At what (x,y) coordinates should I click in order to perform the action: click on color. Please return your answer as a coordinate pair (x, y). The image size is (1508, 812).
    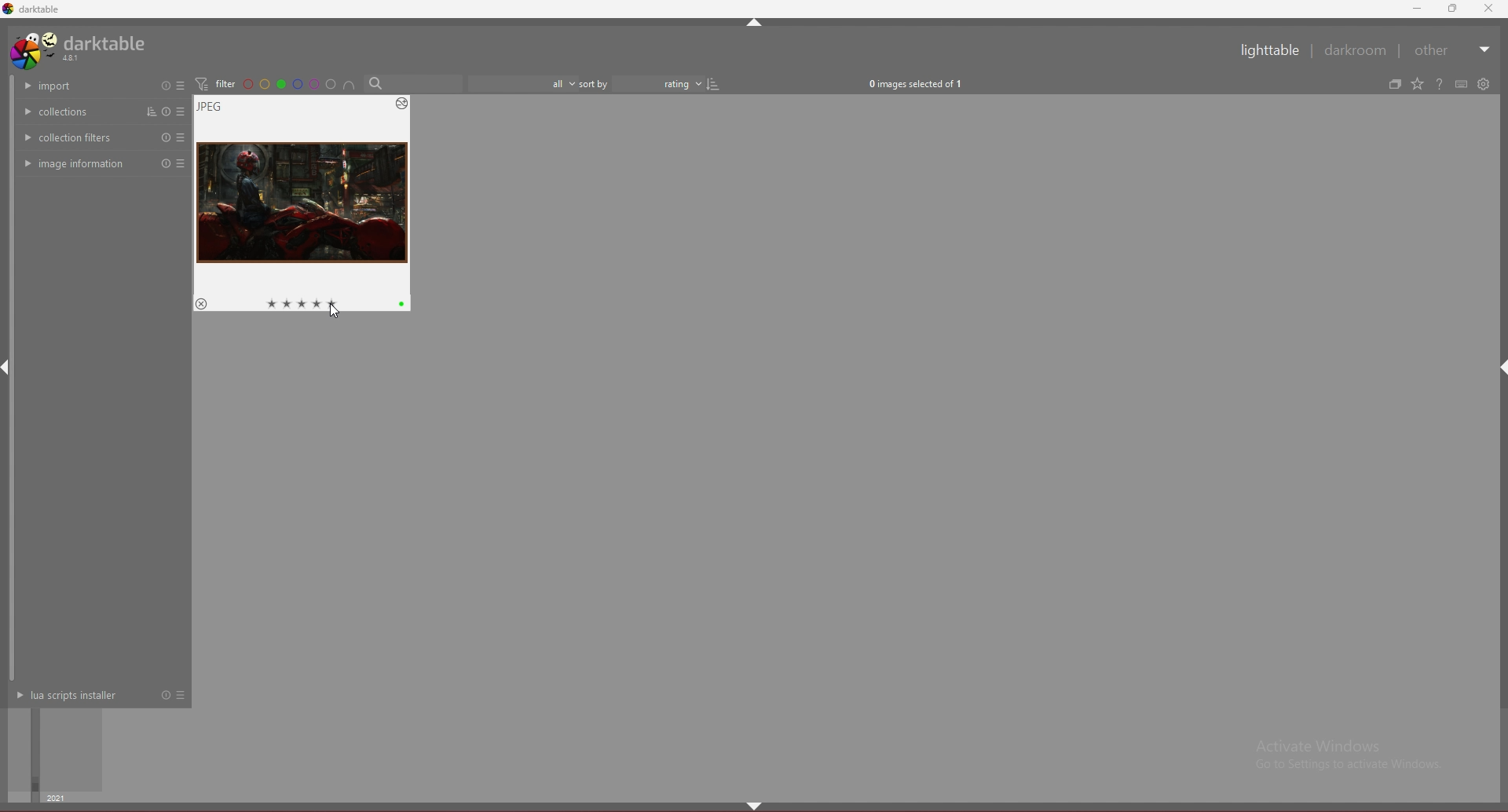
    Looking at the image, I should click on (402, 304).